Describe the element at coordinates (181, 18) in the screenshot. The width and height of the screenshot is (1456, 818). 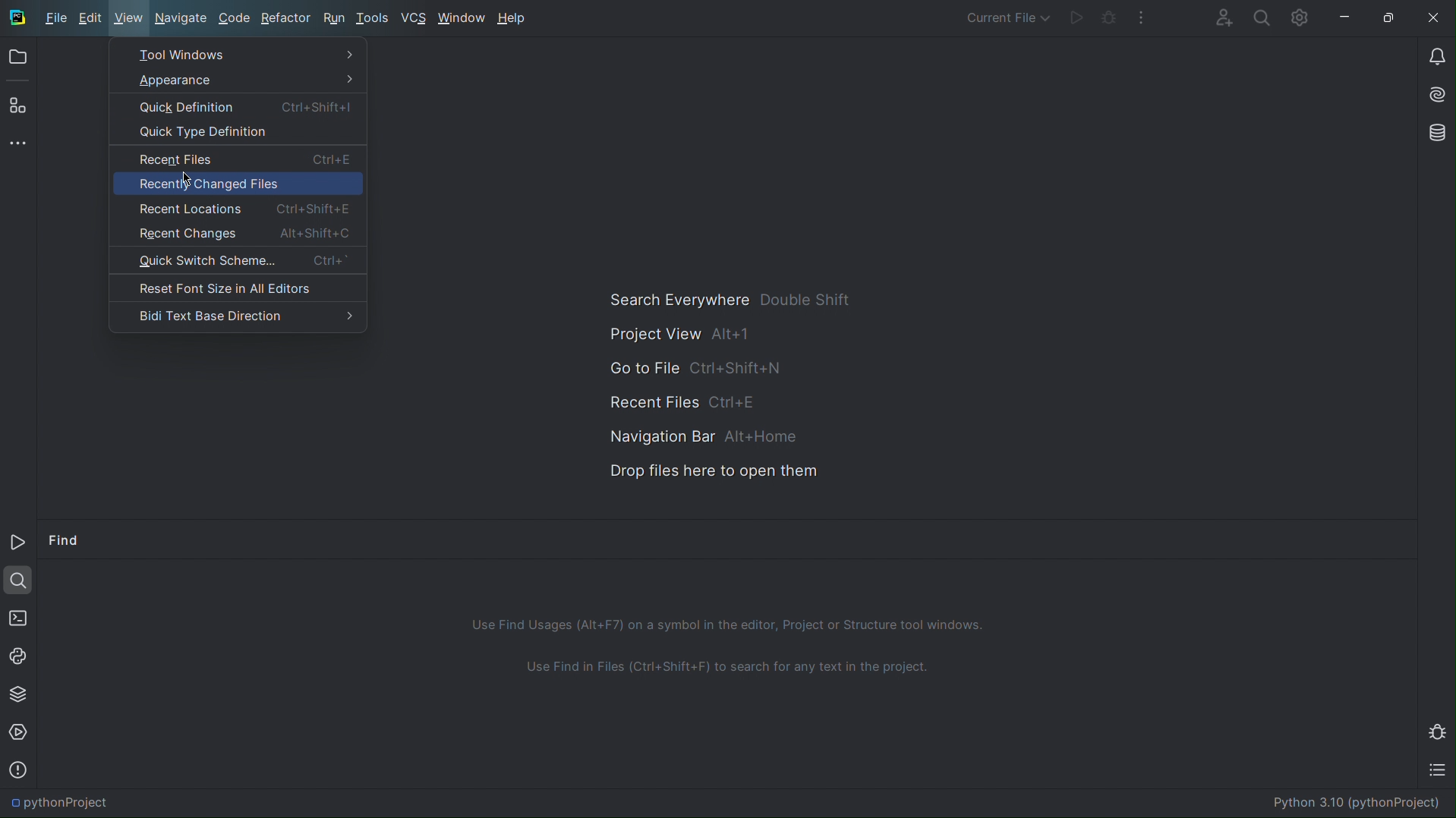
I see `Navigate` at that location.